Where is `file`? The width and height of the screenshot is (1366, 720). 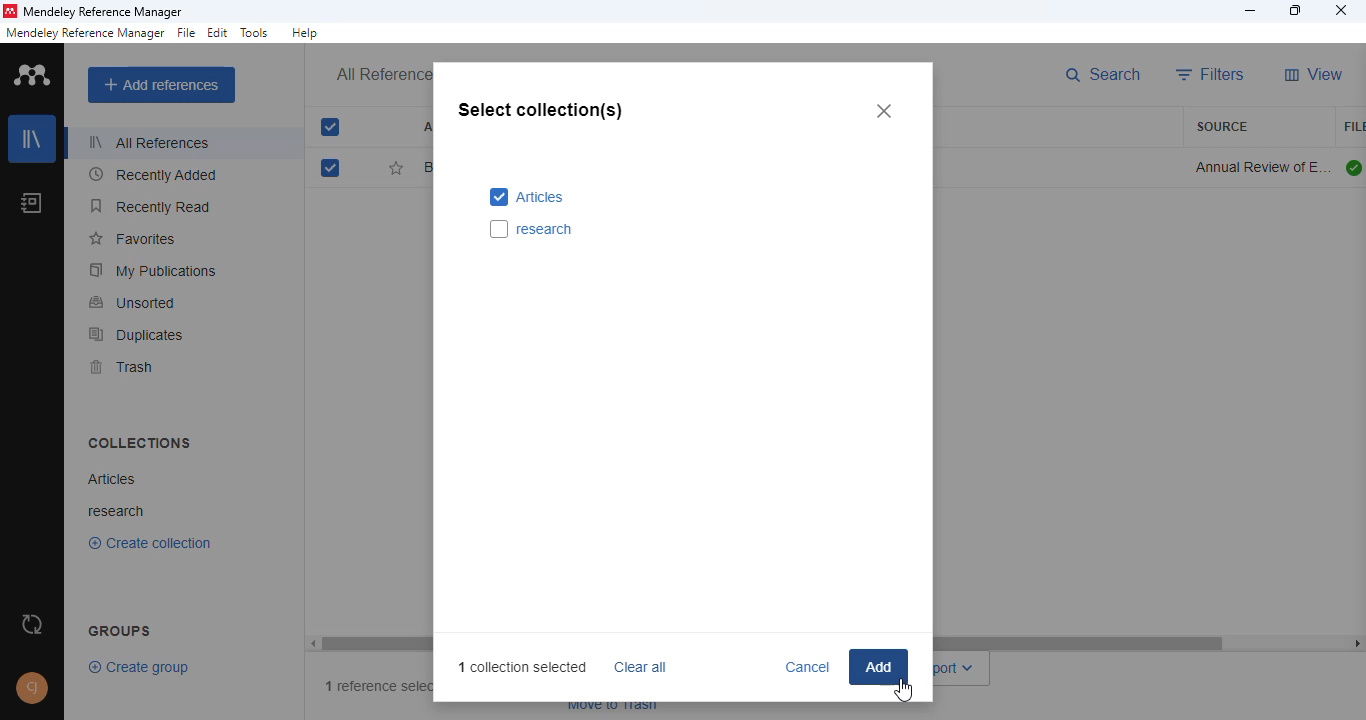
file is located at coordinates (1353, 127).